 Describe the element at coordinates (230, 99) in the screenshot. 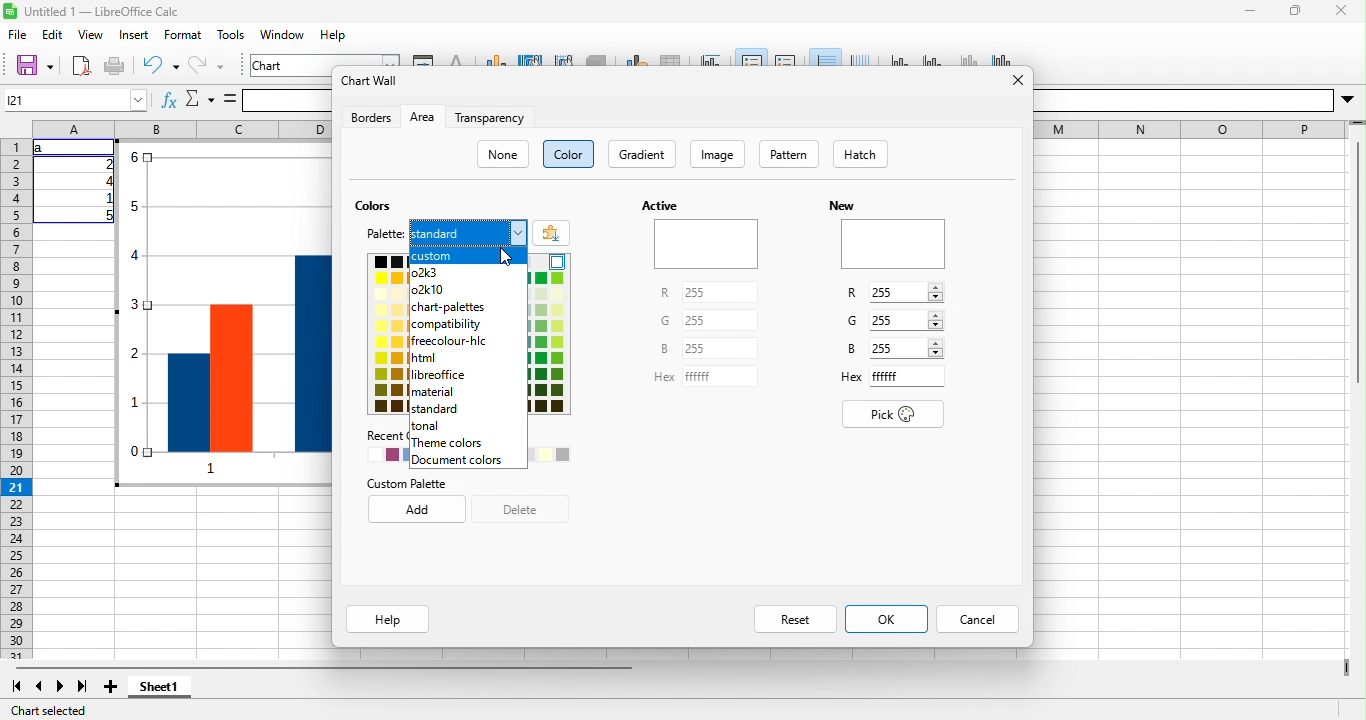

I see `is equal to symbol` at that location.